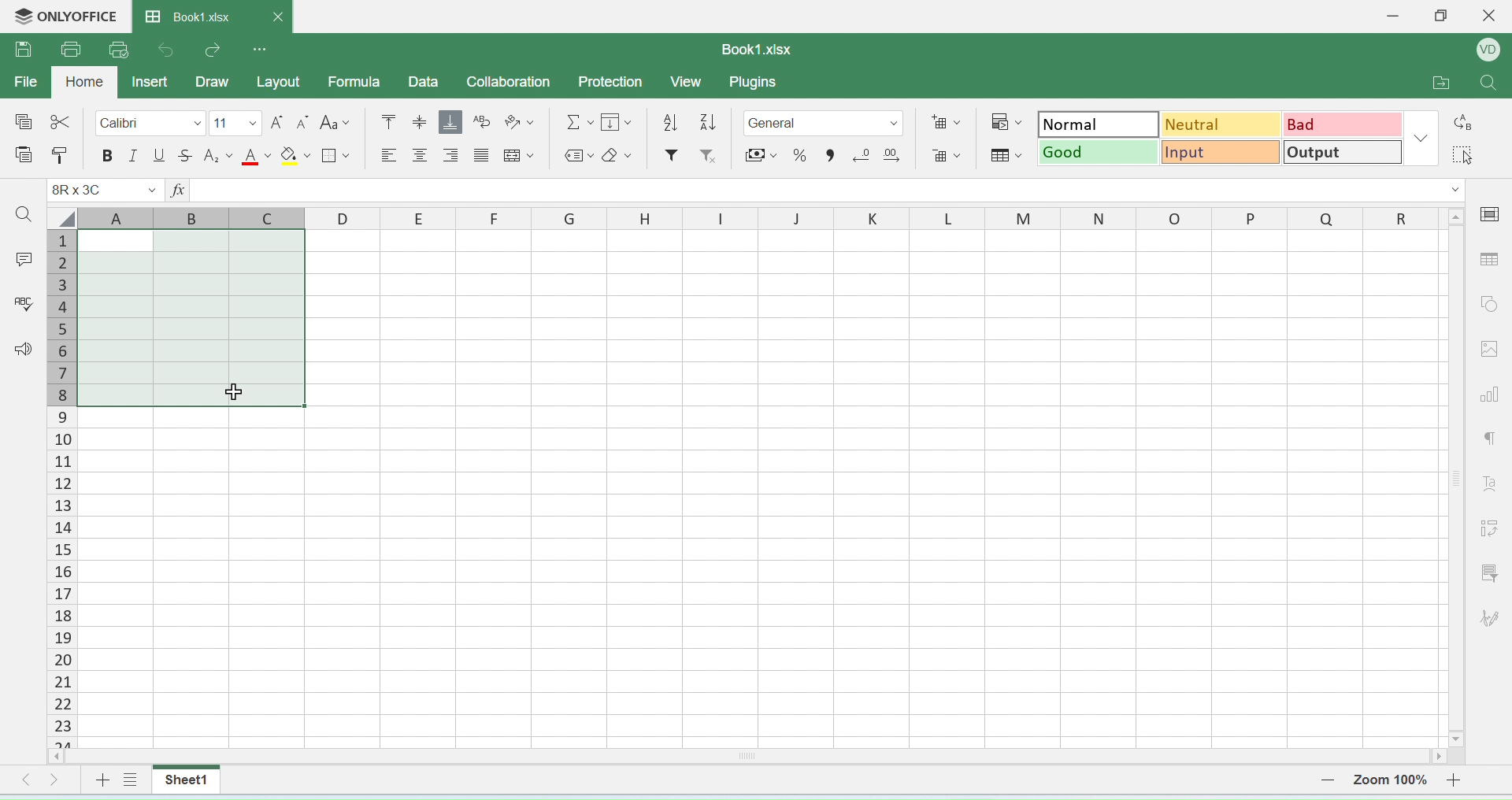  I want to click on paste, so click(61, 158).